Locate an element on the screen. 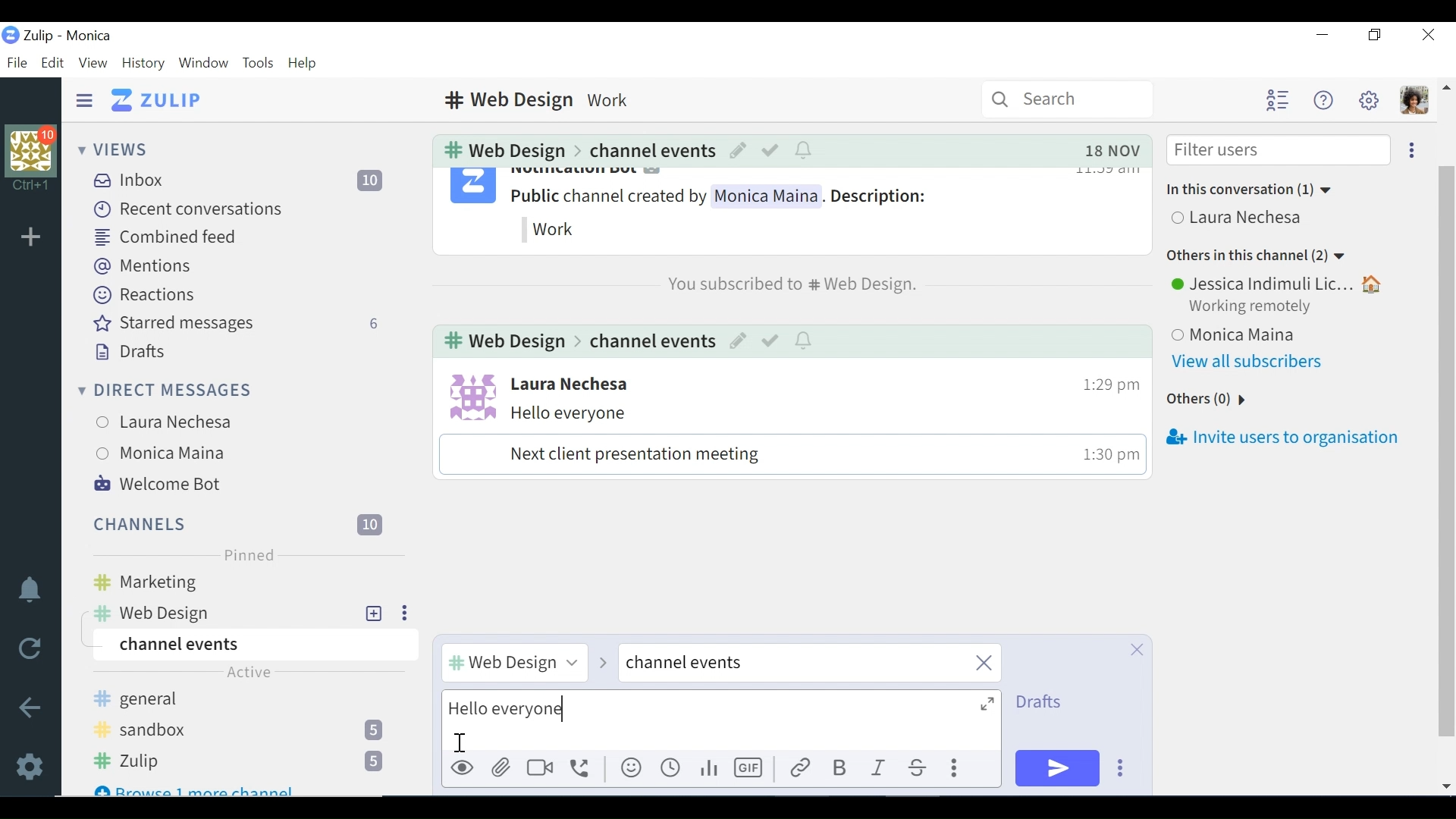 This screenshot has width=1456, height=819. Organisation profile is located at coordinates (33, 149).